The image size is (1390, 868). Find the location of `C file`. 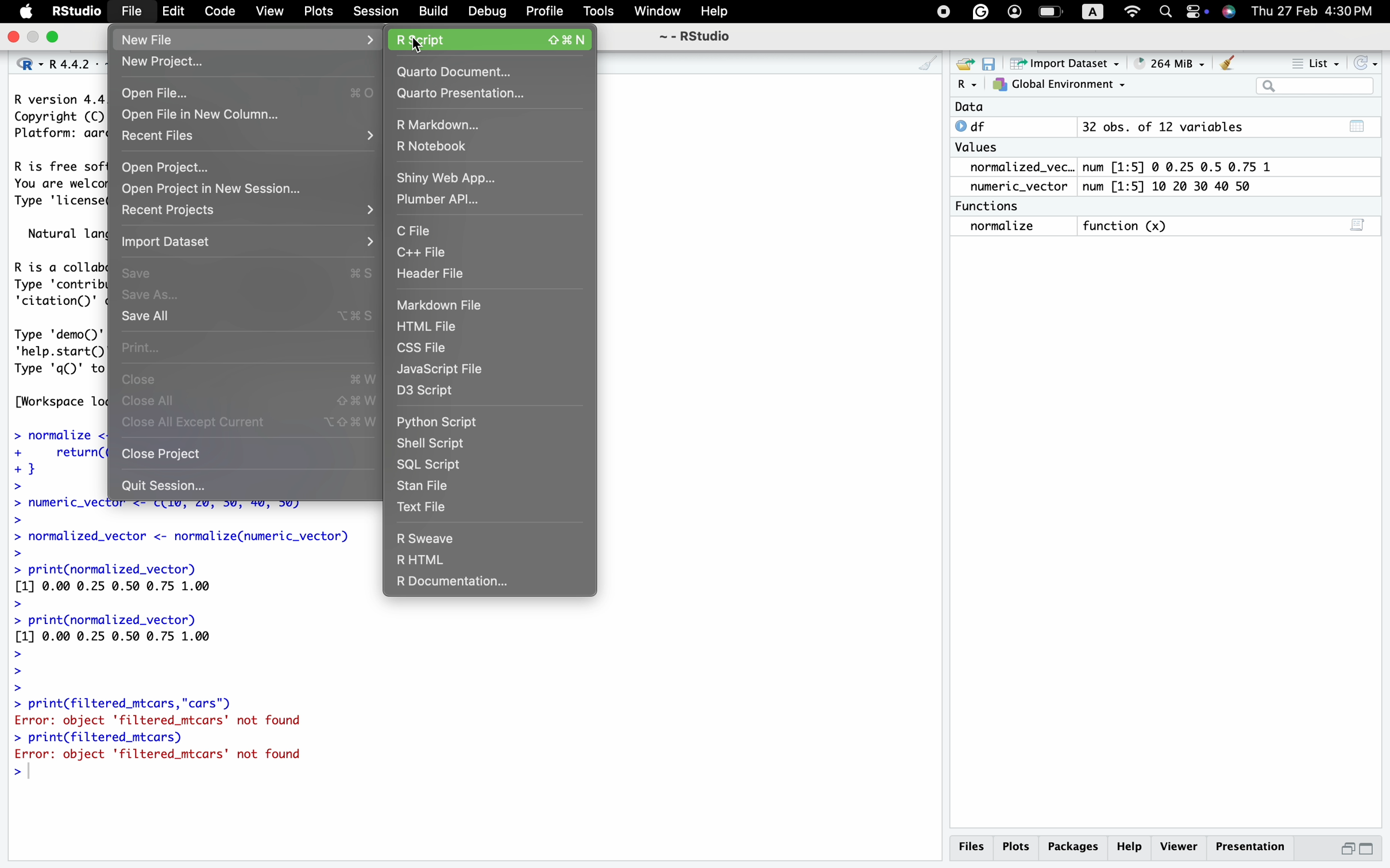

C file is located at coordinates (487, 229).